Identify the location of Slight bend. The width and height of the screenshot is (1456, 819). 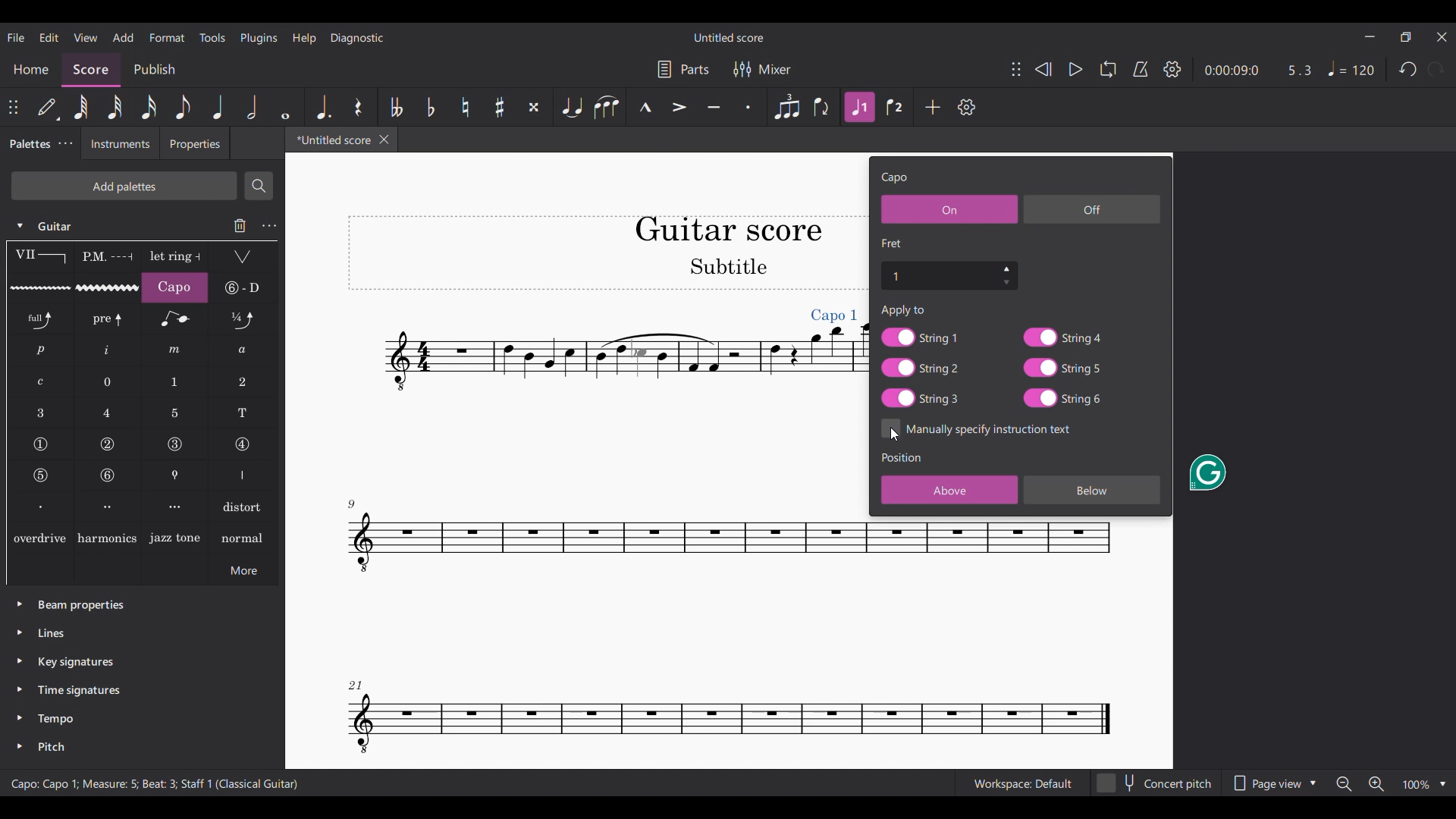
(243, 318).